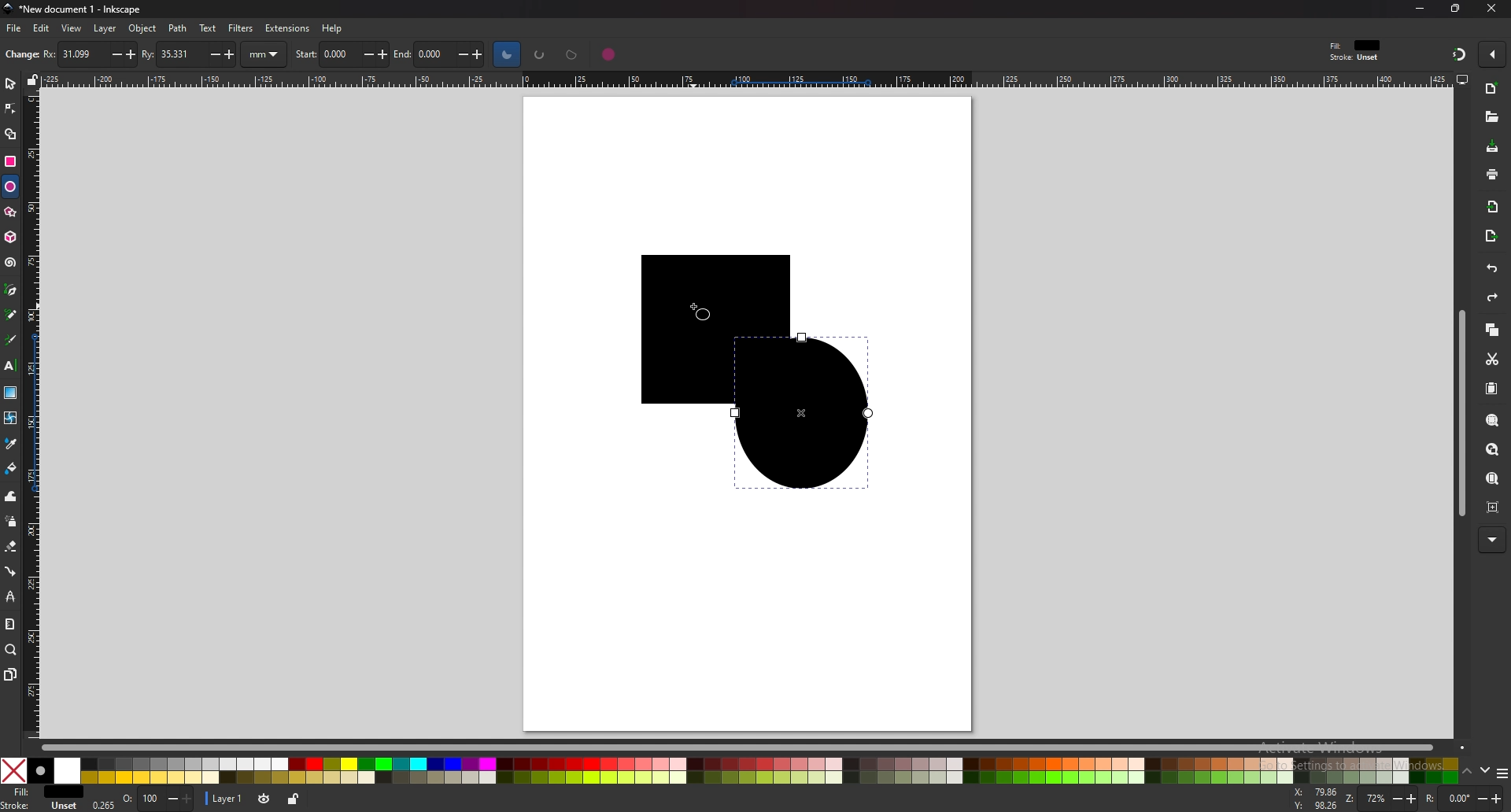 The height and width of the screenshot is (812, 1511). What do you see at coordinates (739, 79) in the screenshot?
I see `horizontal ruler` at bounding box center [739, 79].